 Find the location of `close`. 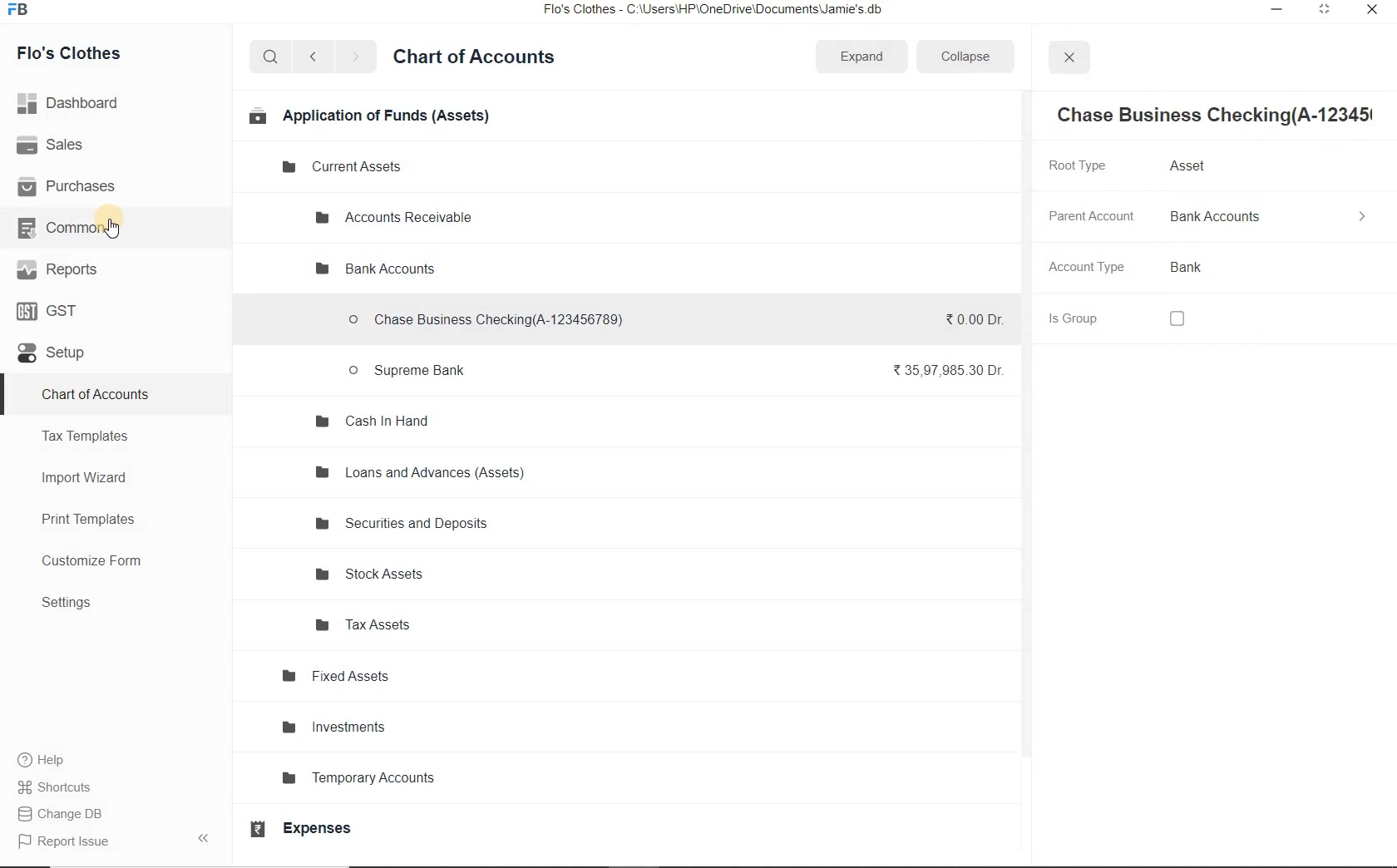

close is located at coordinates (1371, 8).